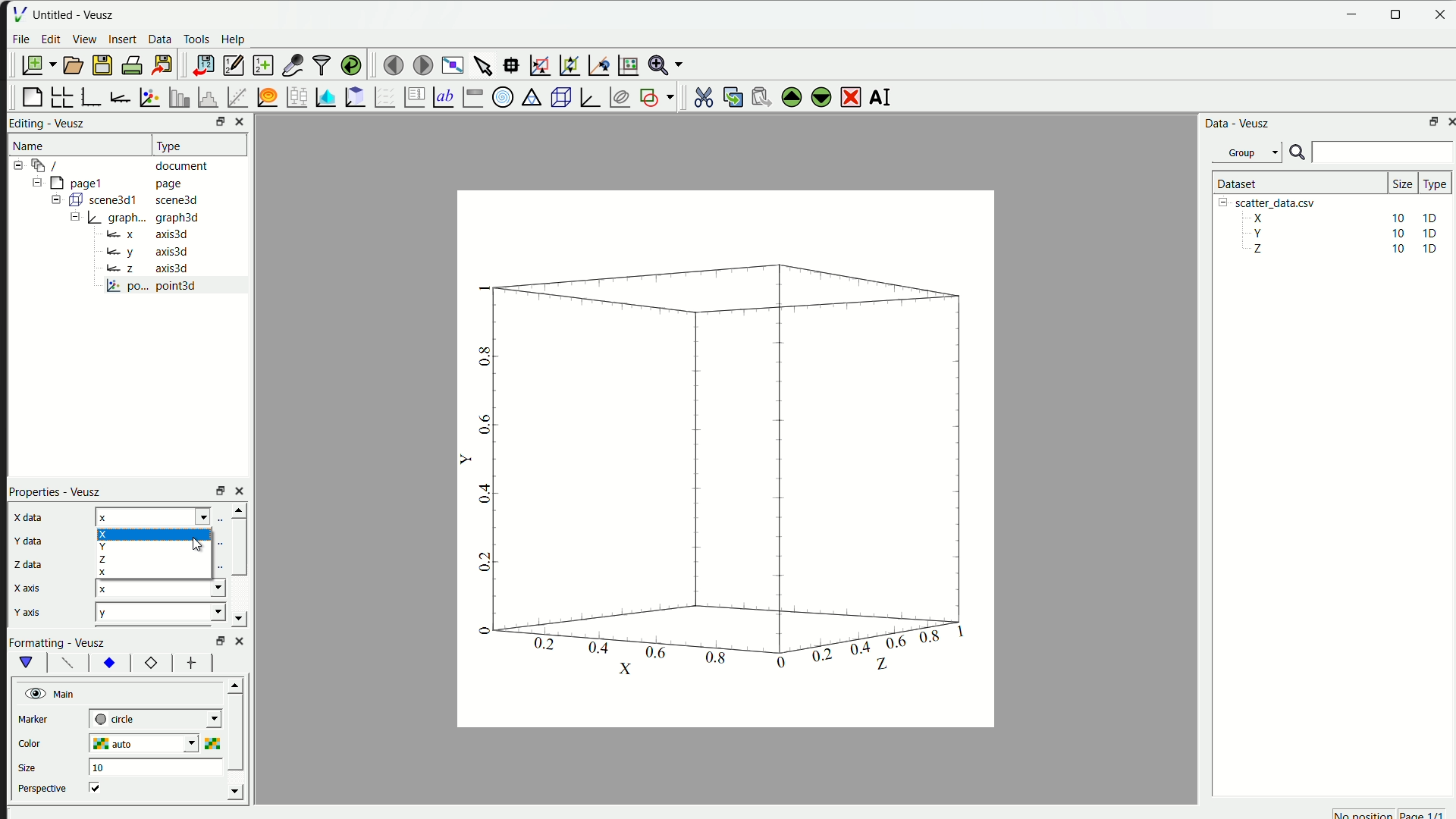 This screenshot has width=1456, height=819. Describe the element at coordinates (153, 745) in the screenshot. I see `auto` at that location.